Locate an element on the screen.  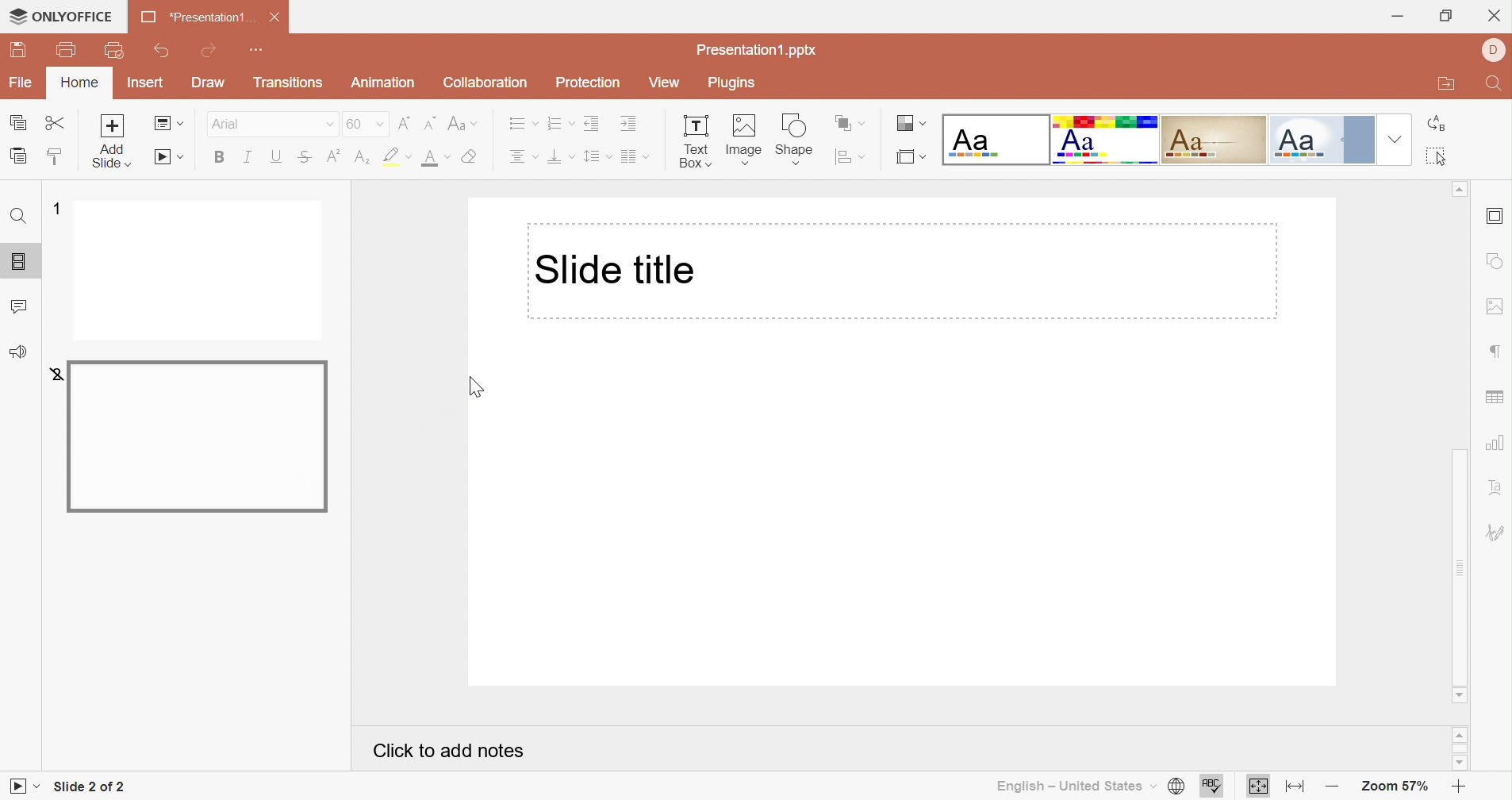
Select all is located at coordinates (1438, 160).